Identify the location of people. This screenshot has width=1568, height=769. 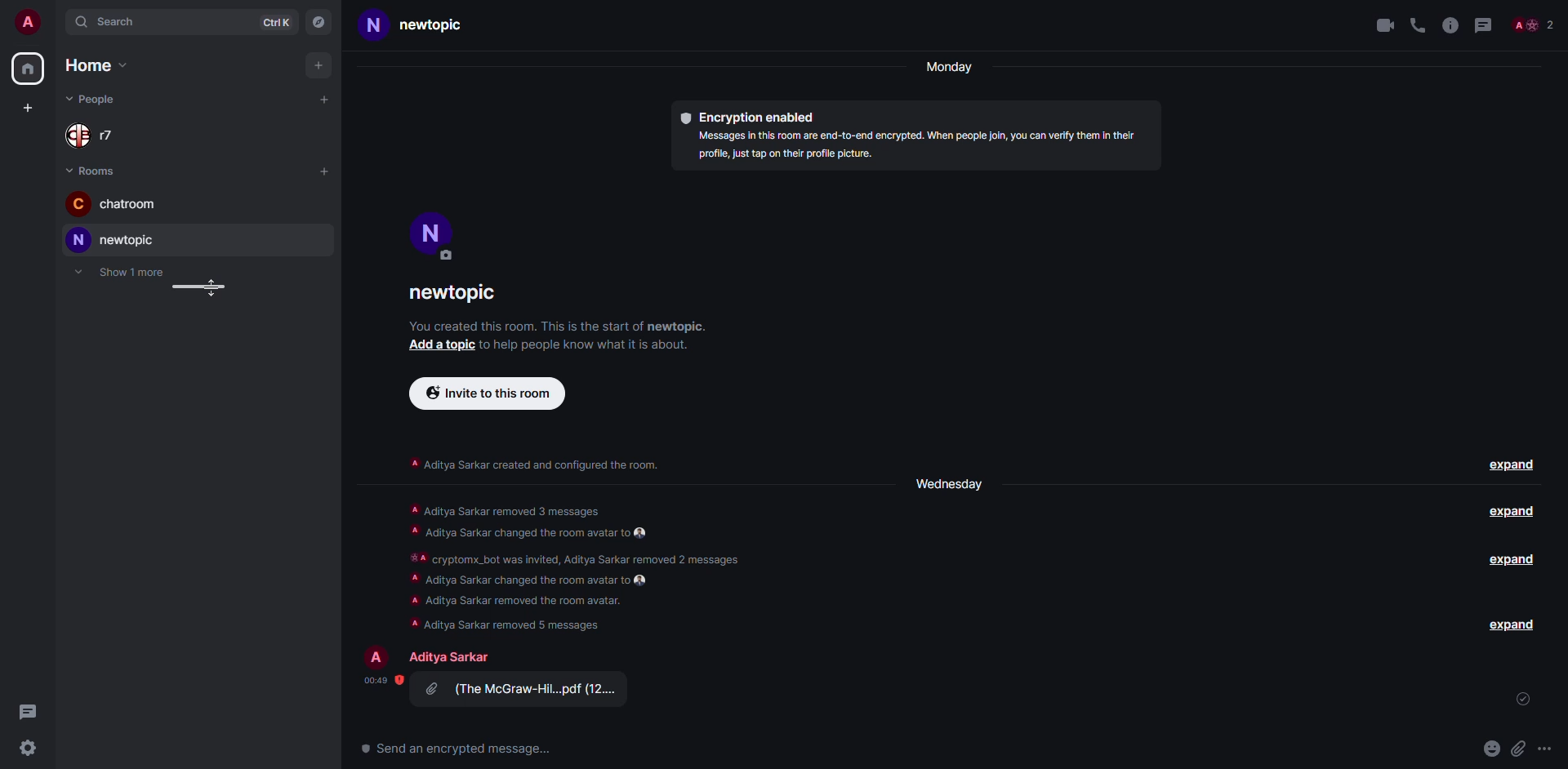
(95, 99).